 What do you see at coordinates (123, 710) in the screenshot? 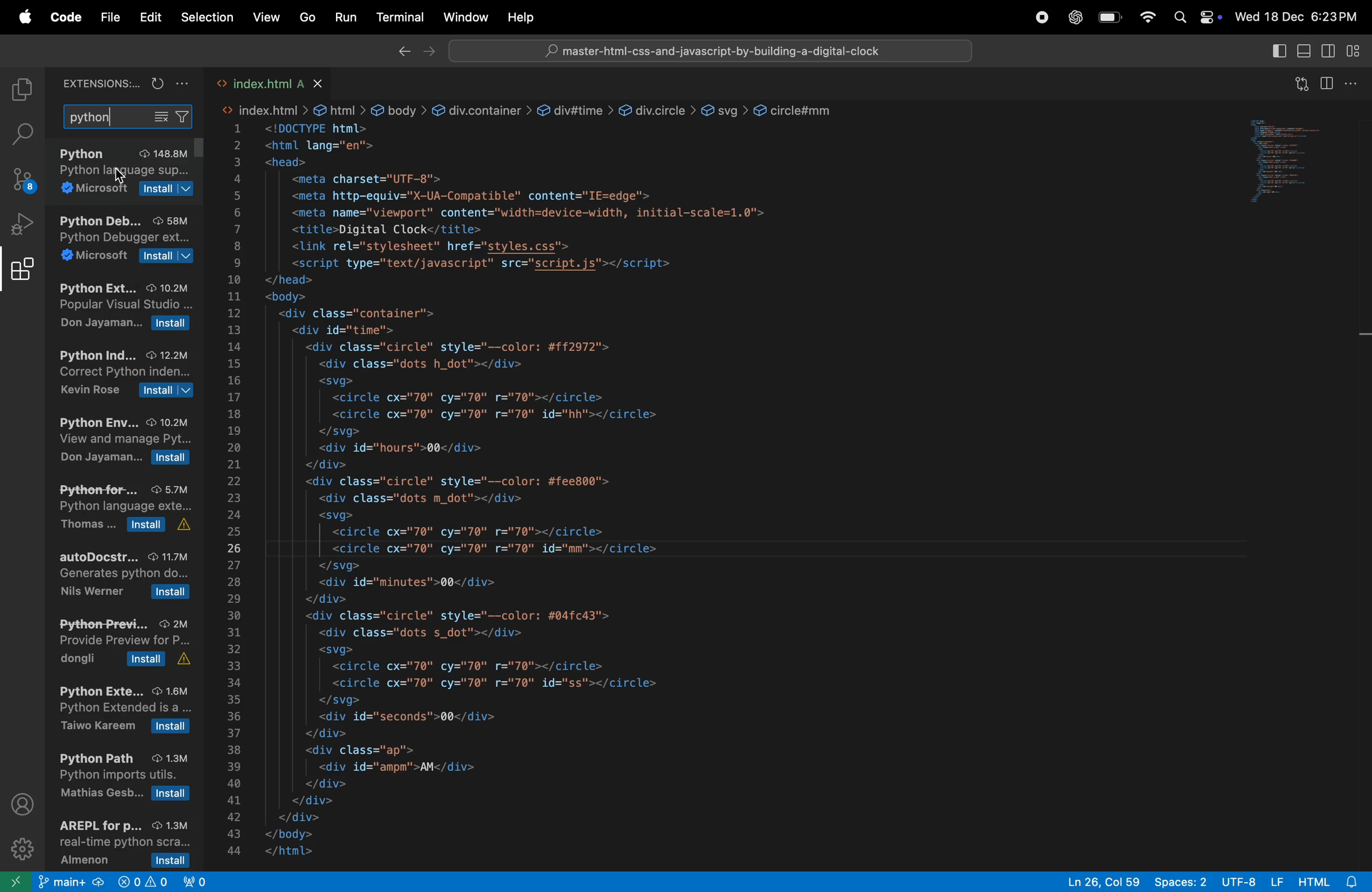
I see `python boot strap extension` at bounding box center [123, 710].